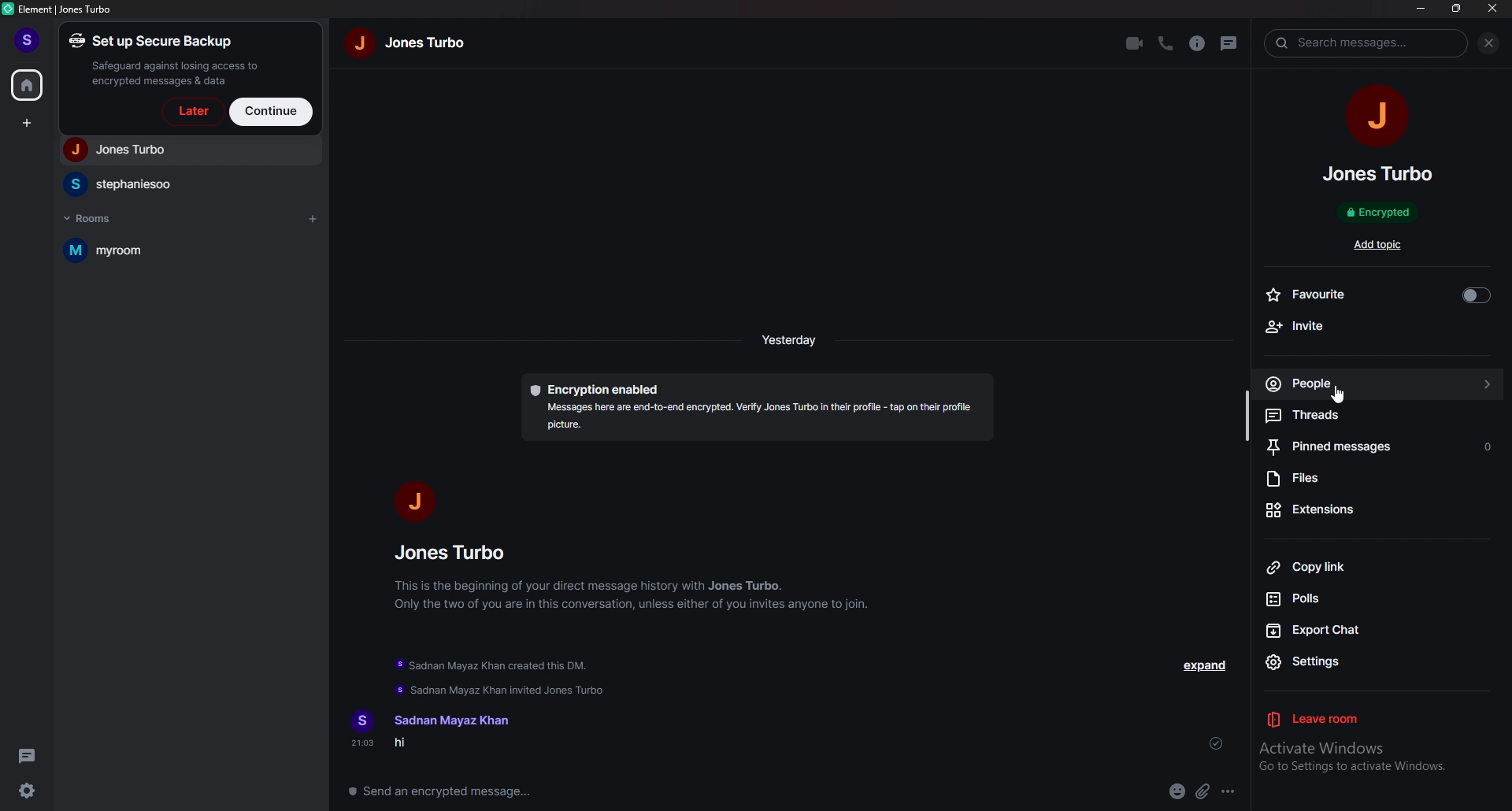 The width and height of the screenshot is (1512, 811). What do you see at coordinates (757, 409) in the screenshot?
I see `encryption description` at bounding box center [757, 409].